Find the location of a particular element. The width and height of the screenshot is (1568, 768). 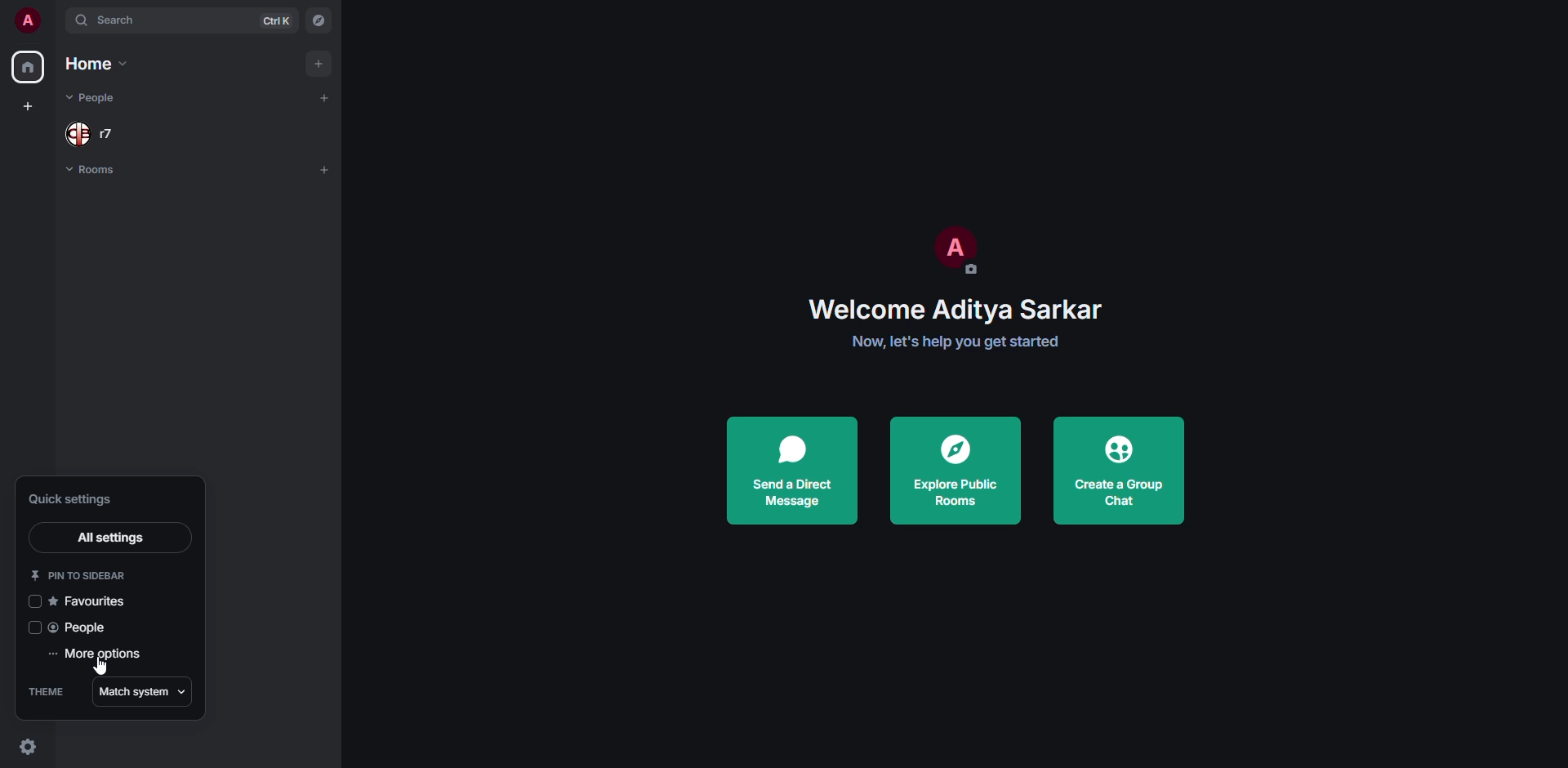

add is located at coordinates (323, 96).